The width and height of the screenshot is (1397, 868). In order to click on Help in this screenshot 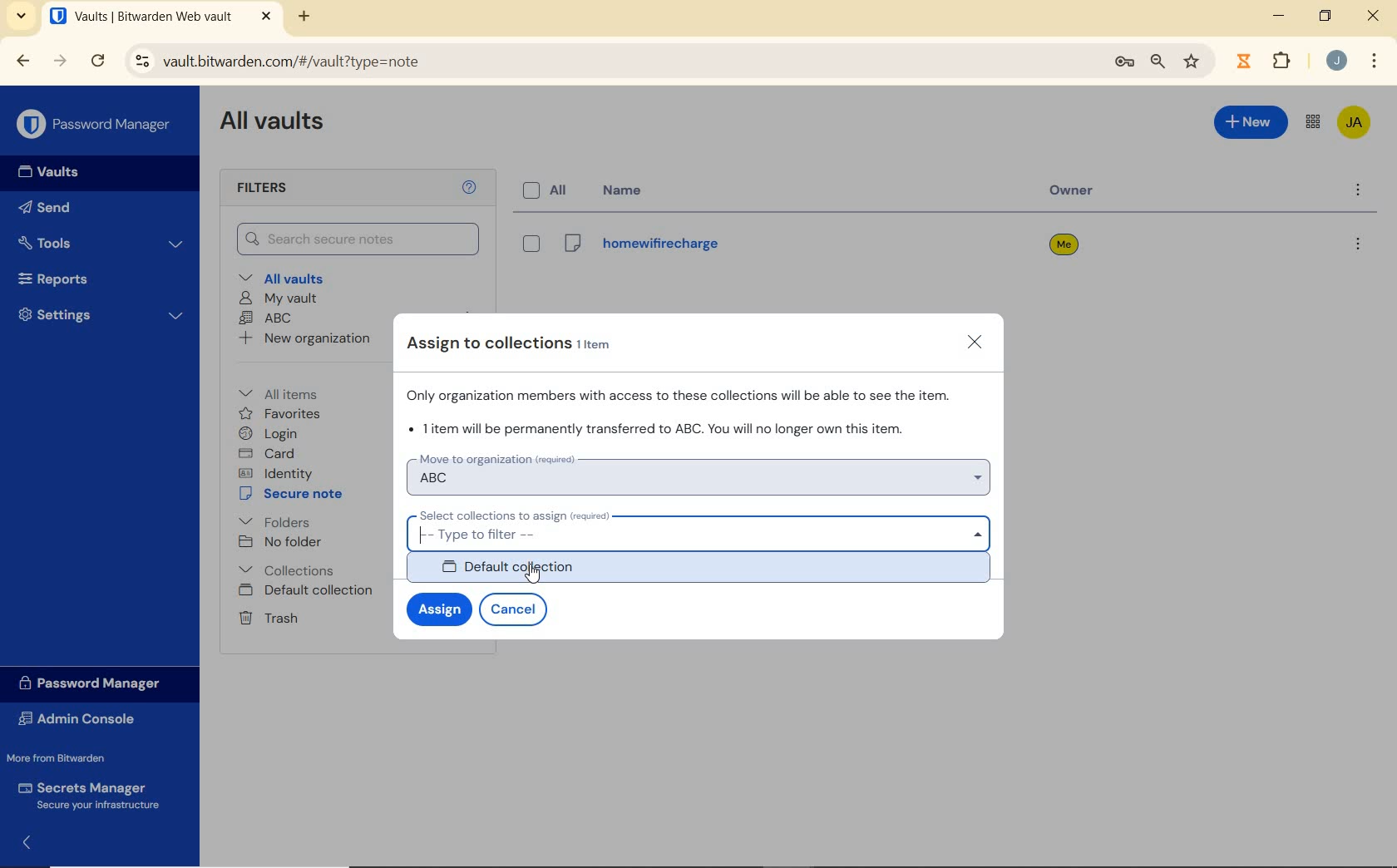, I will do `click(471, 188)`.